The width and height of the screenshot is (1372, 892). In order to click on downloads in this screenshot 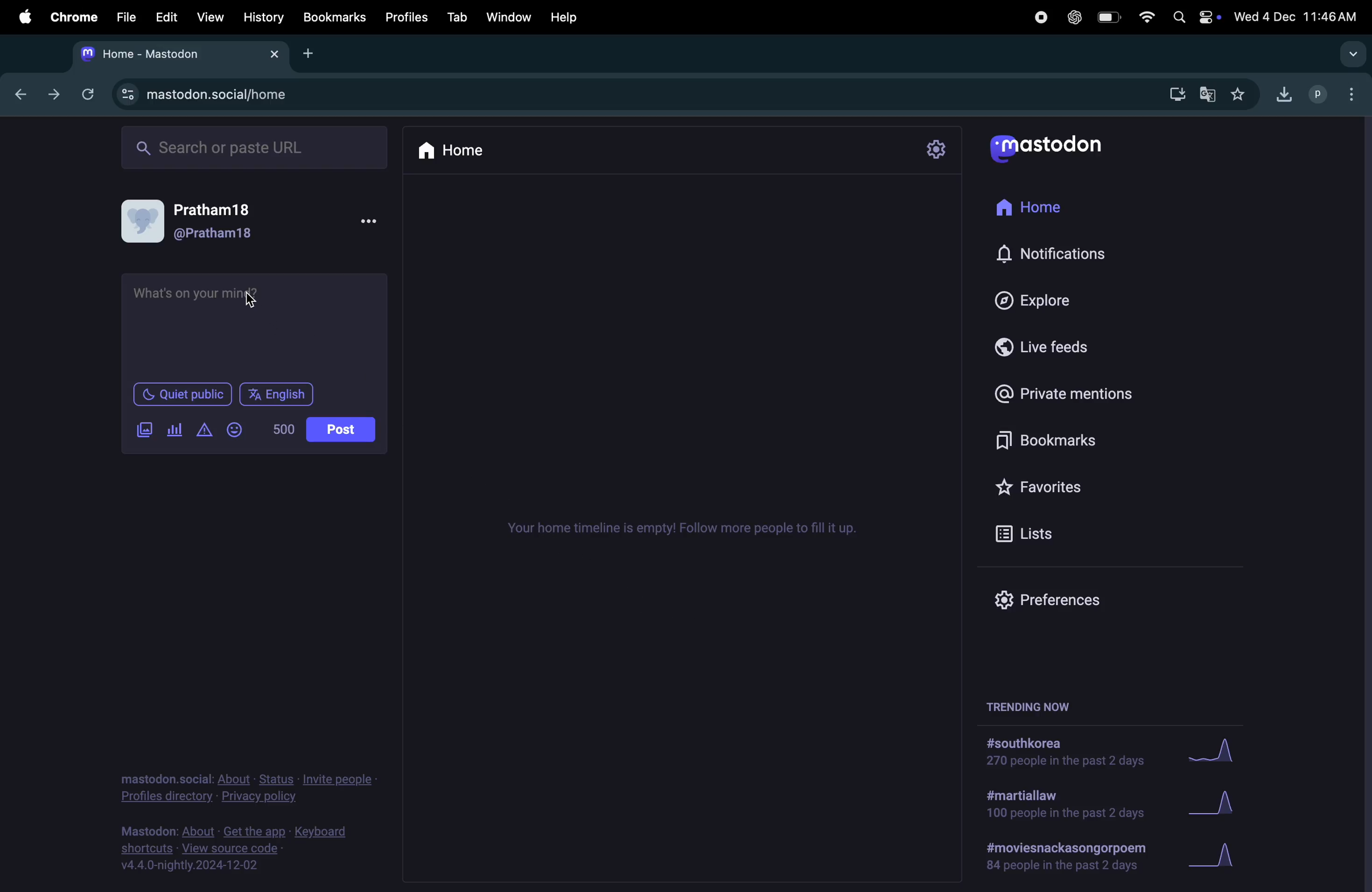, I will do `click(1177, 93)`.